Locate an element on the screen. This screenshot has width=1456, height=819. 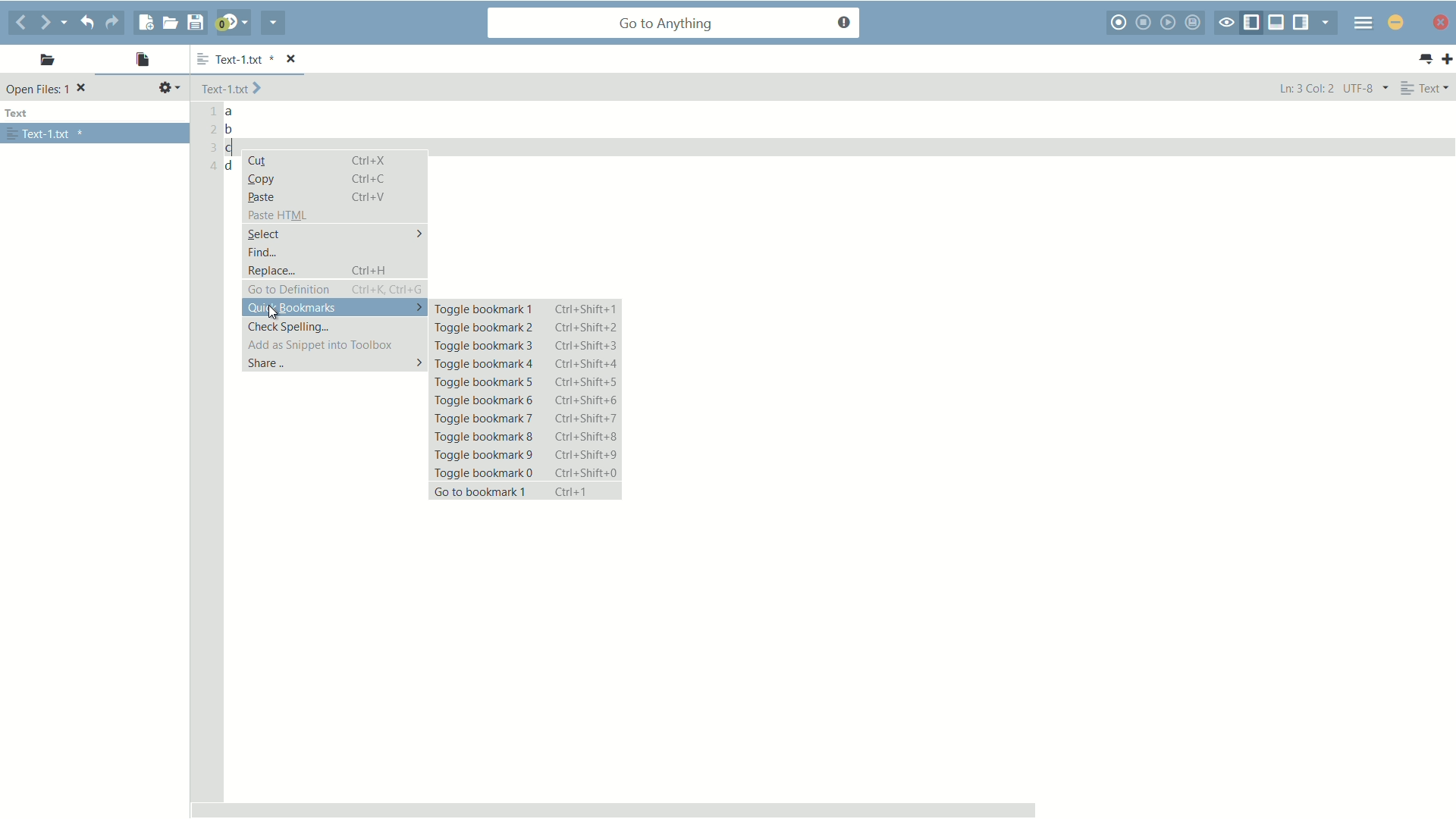
UTF-8 is located at coordinates (1364, 88).